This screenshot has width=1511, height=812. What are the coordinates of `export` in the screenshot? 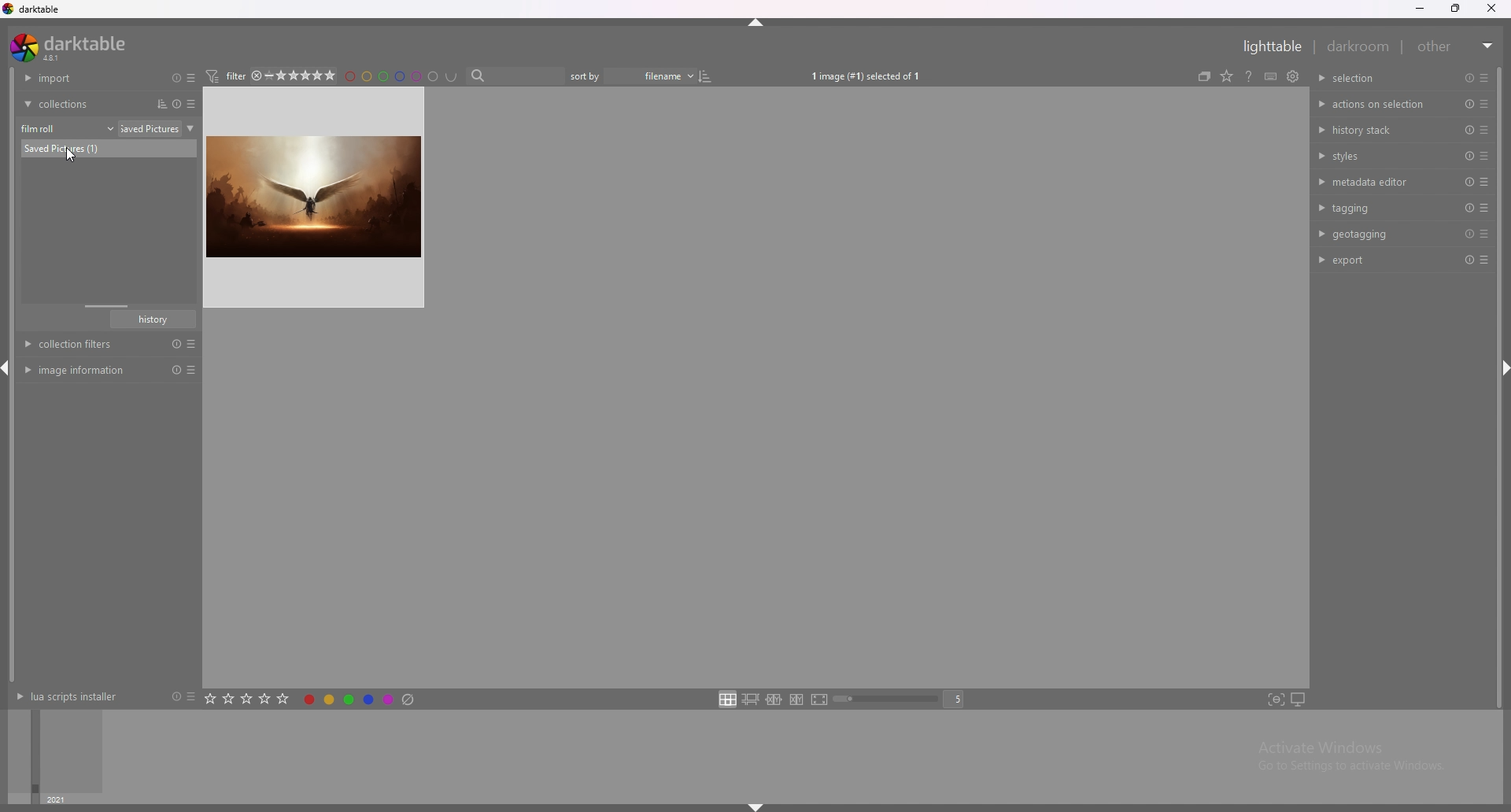 It's located at (1376, 260).